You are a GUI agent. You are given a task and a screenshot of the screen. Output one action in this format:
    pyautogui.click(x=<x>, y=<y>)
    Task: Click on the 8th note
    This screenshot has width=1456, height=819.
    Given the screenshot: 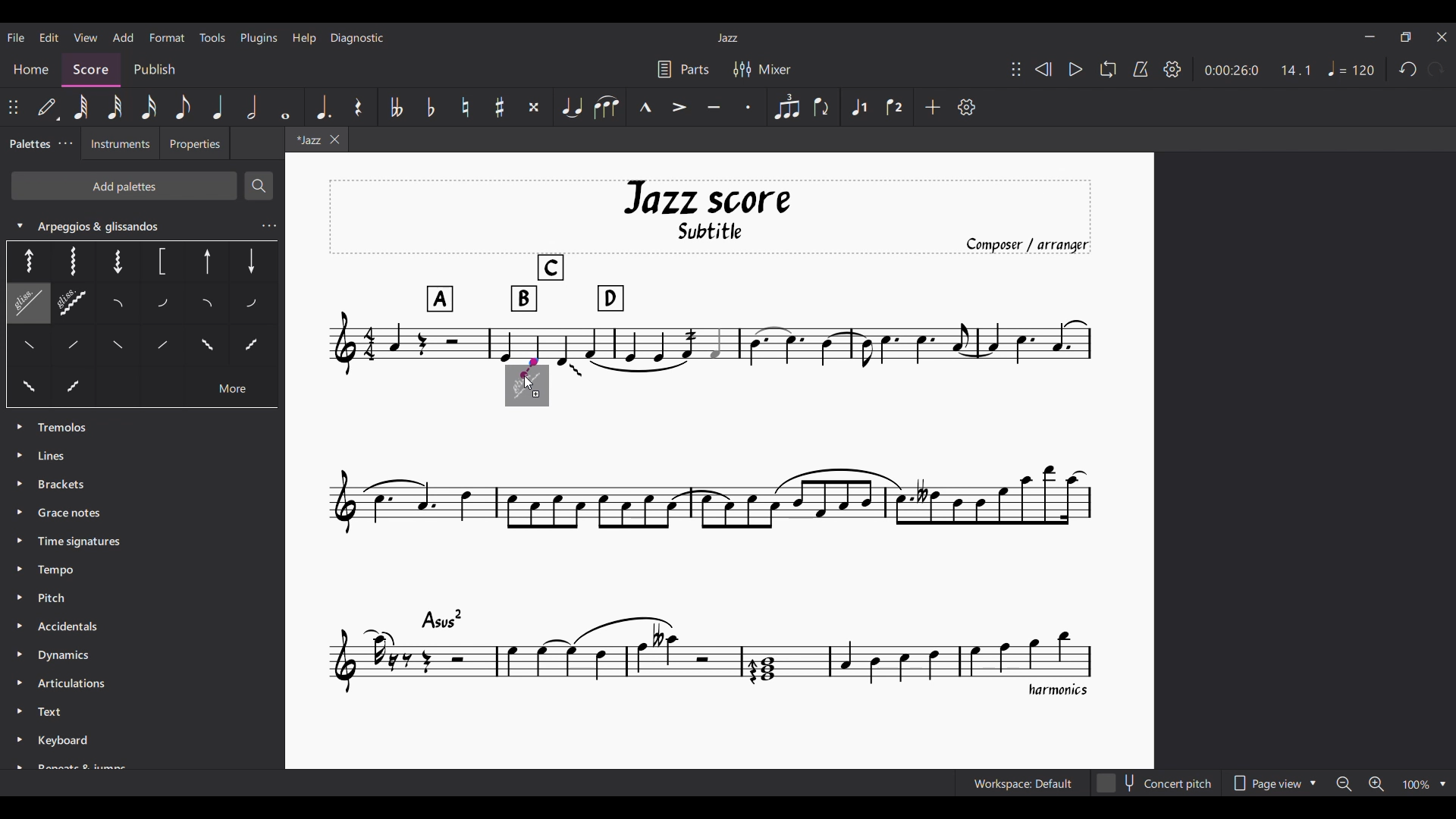 What is the action you would take?
    pyautogui.click(x=184, y=107)
    